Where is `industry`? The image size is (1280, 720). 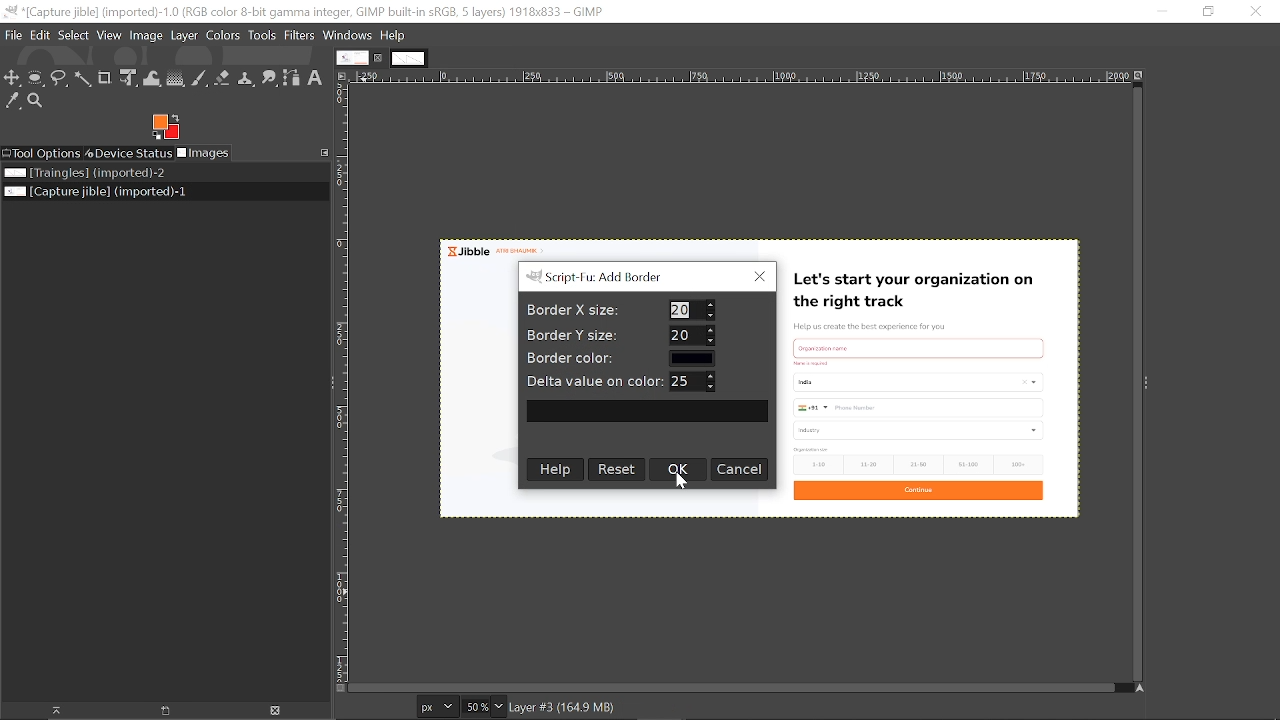
industry is located at coordinates (915, 430).